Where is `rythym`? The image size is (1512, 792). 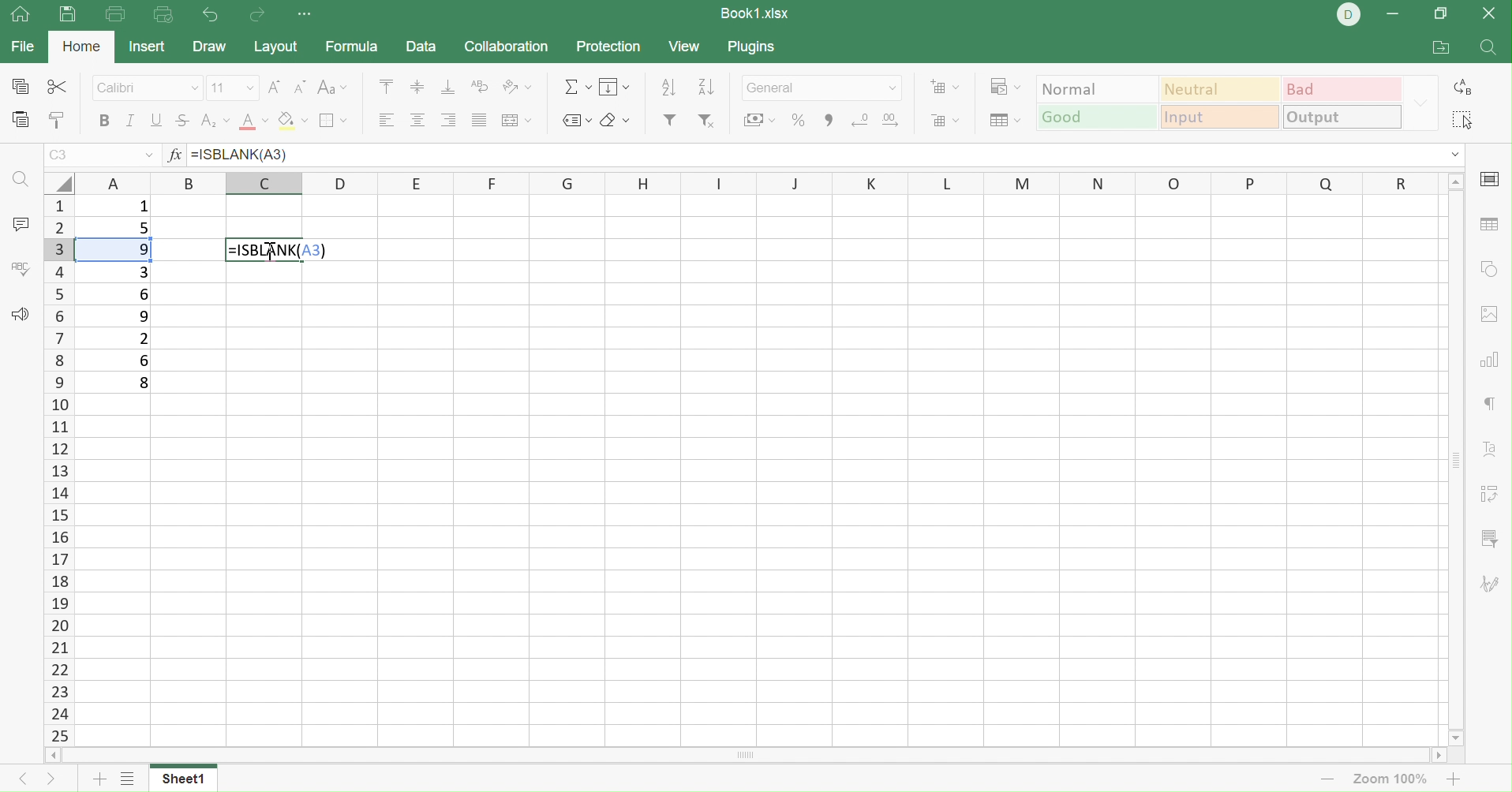 rythym is located at coordinates (1482, 406).